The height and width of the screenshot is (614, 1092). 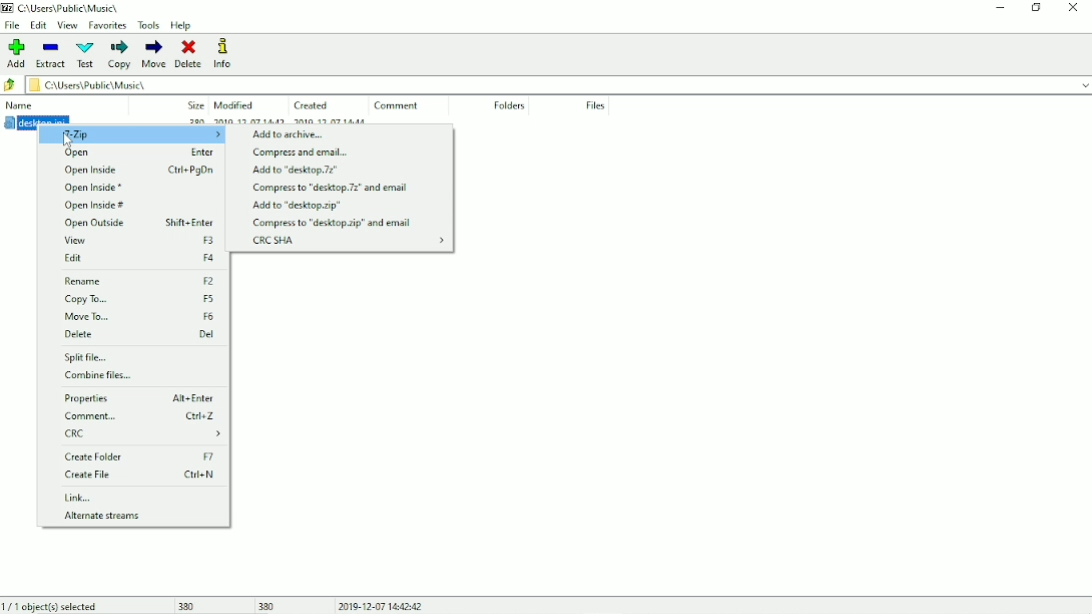 What do you see at coordinates (96, 206) in the screenshot?
I see `Open Inside #` at bounding box center [96, 206].